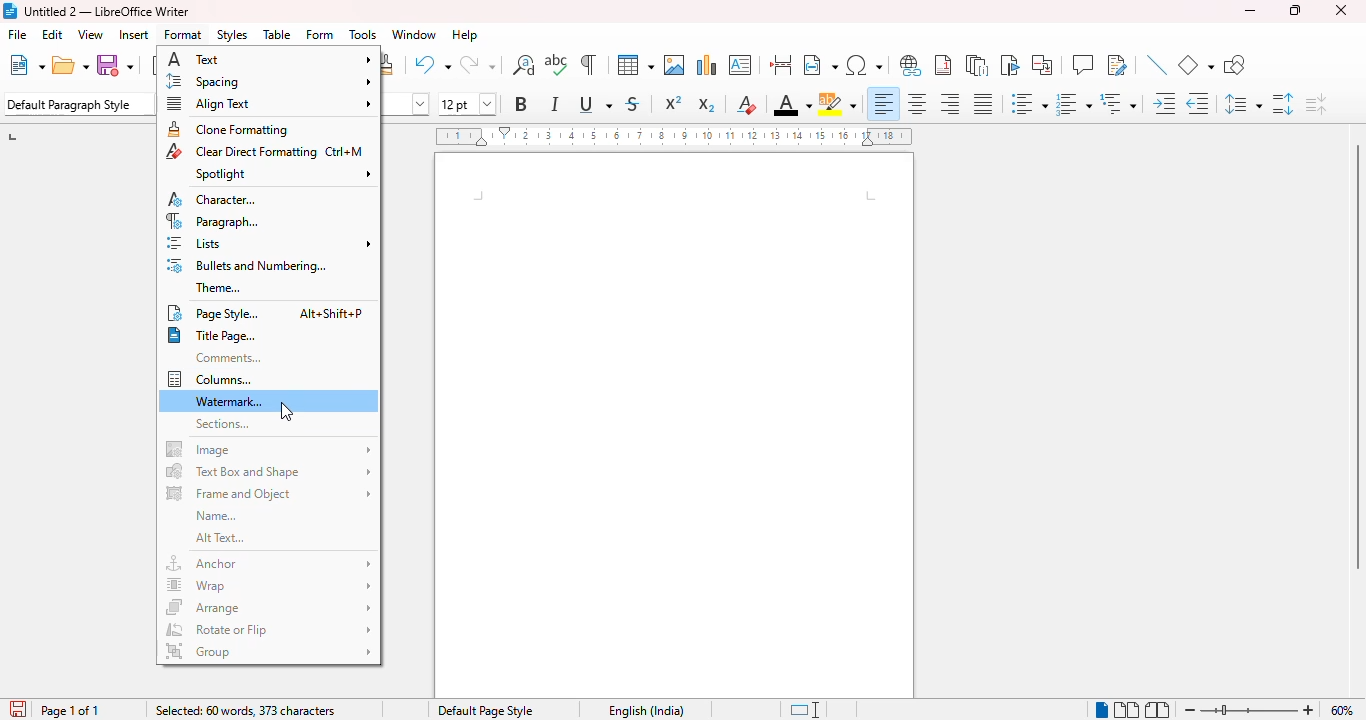 The image size is (1366, 720). I want to click on undo, so click(432, 65).